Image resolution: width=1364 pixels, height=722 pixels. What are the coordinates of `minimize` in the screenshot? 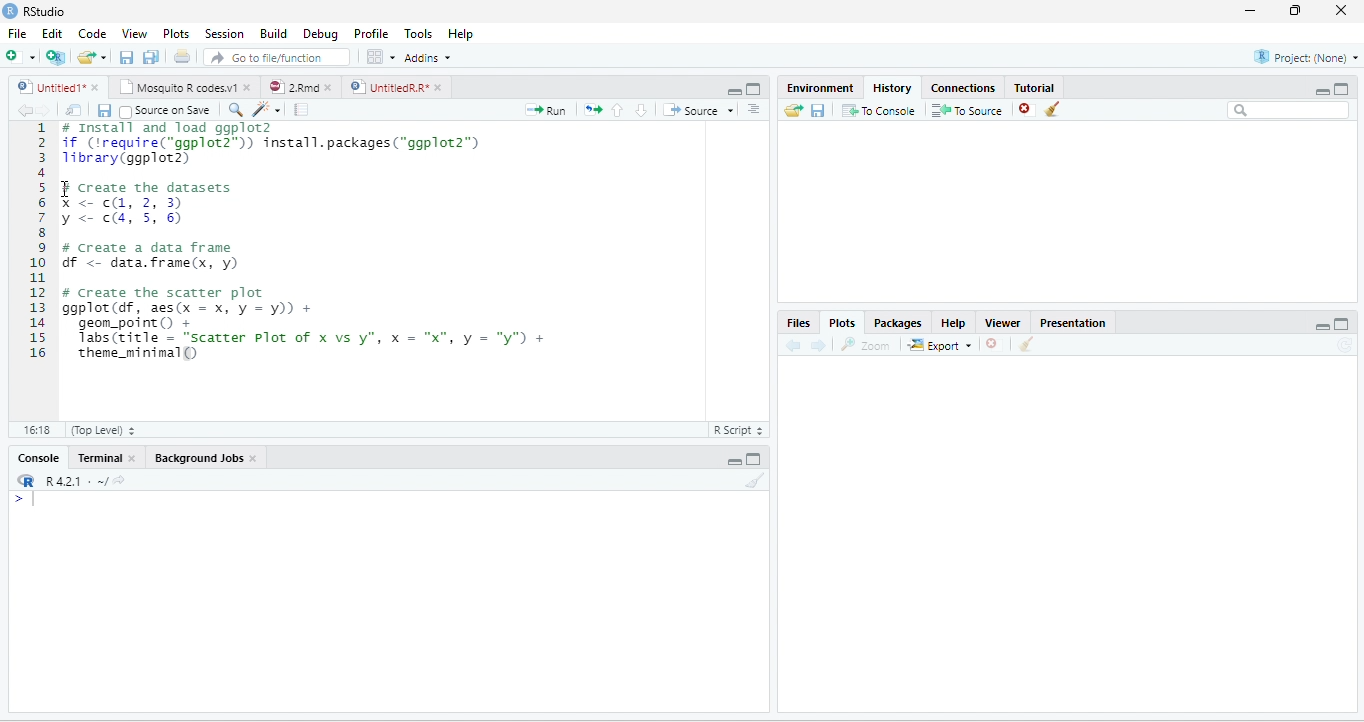 It's located at (1251, 11).